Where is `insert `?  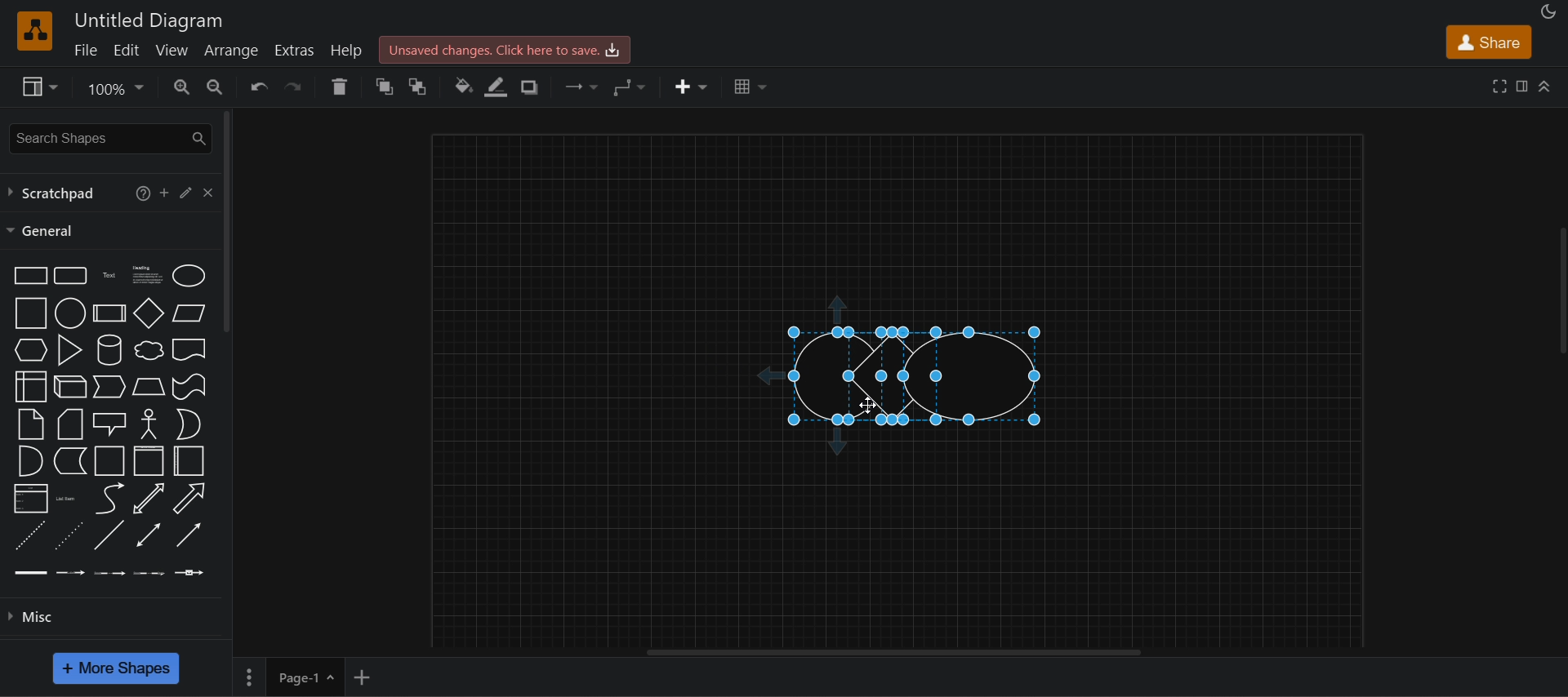
insert  is located at coordinates (692, 87).